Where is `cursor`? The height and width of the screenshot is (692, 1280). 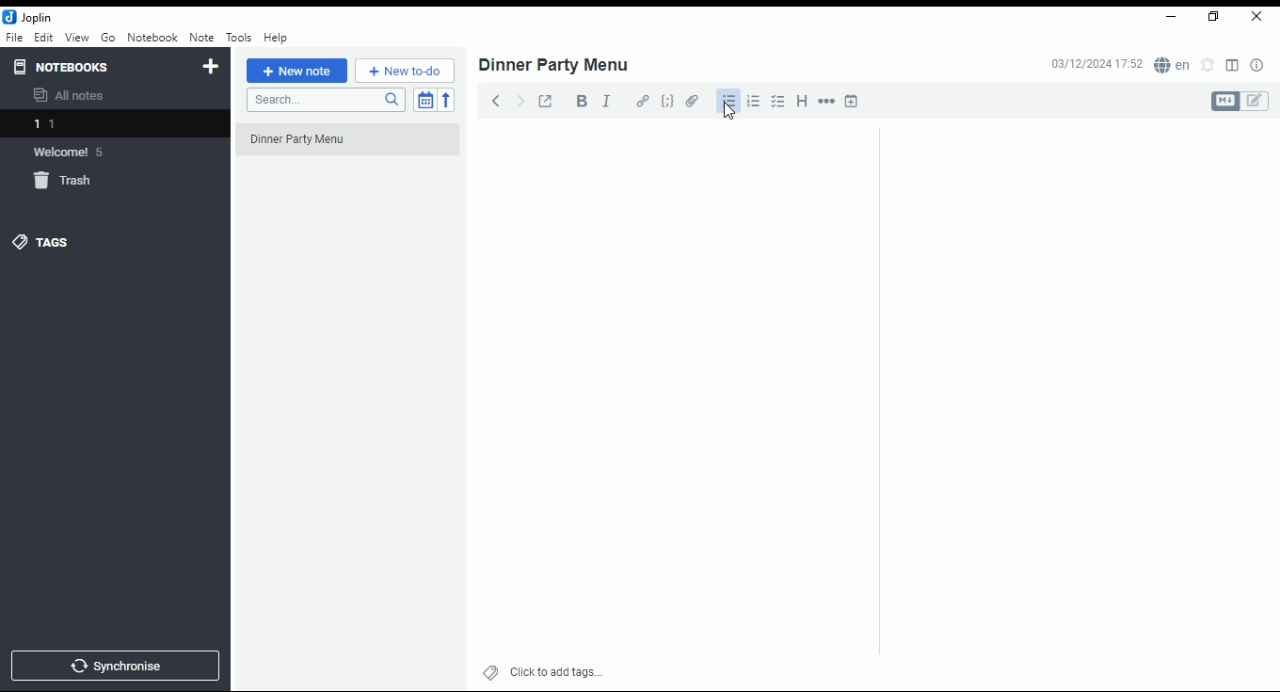
cursor is located at coordinates (729, 114).